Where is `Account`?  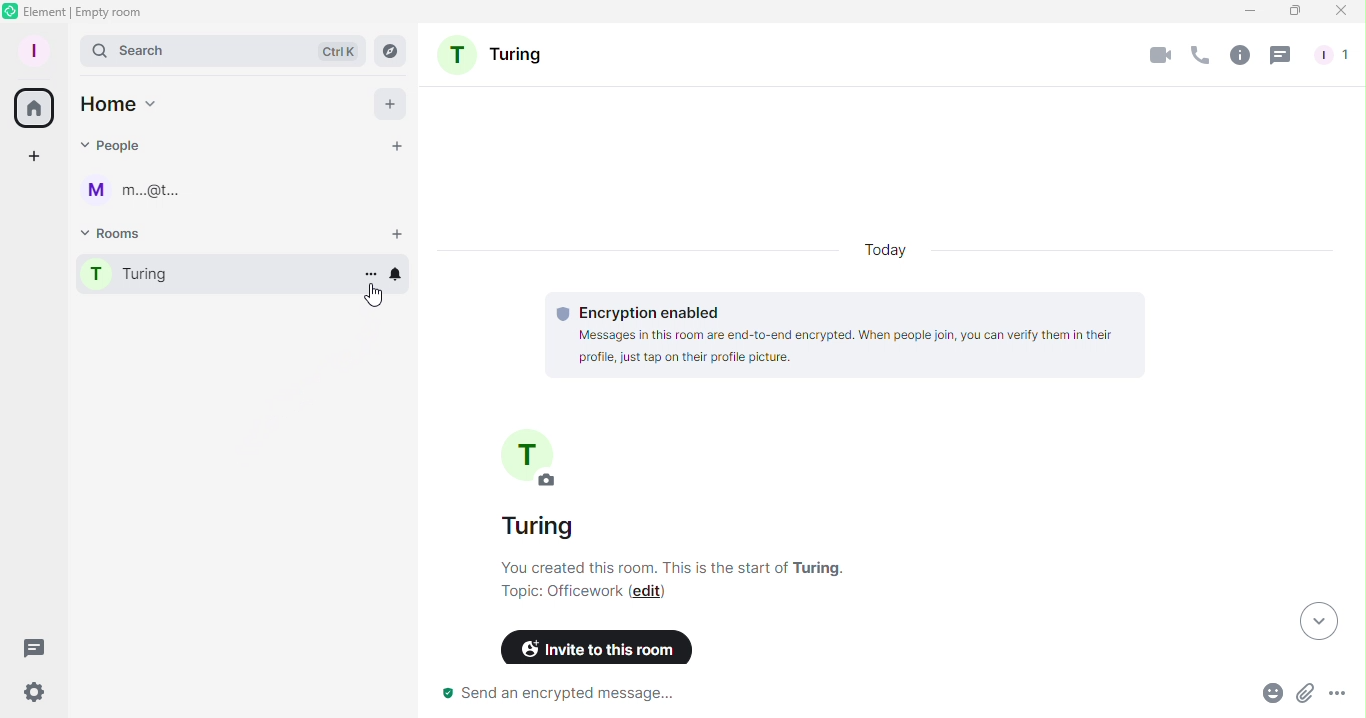 Account is located at coordinates (39, 48).